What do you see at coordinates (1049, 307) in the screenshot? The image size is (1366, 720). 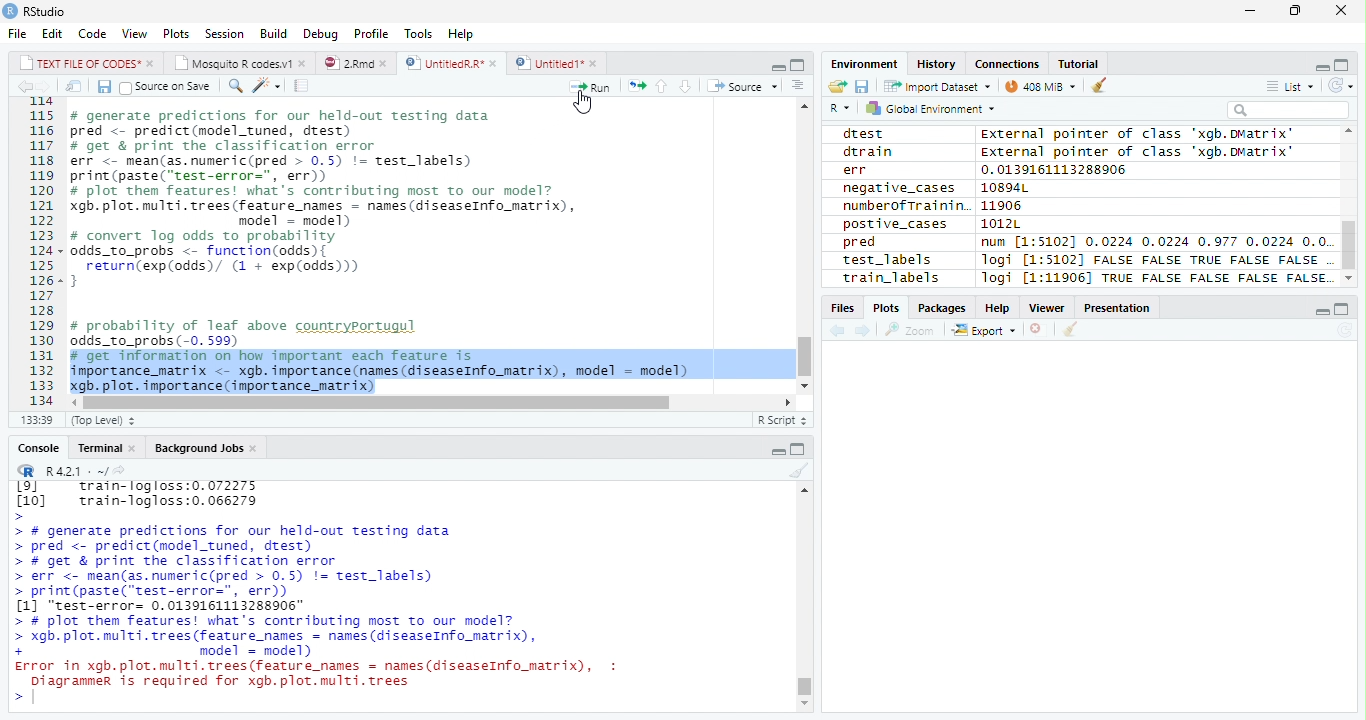 I see `Viewer` at bounding box center [1049, 307].